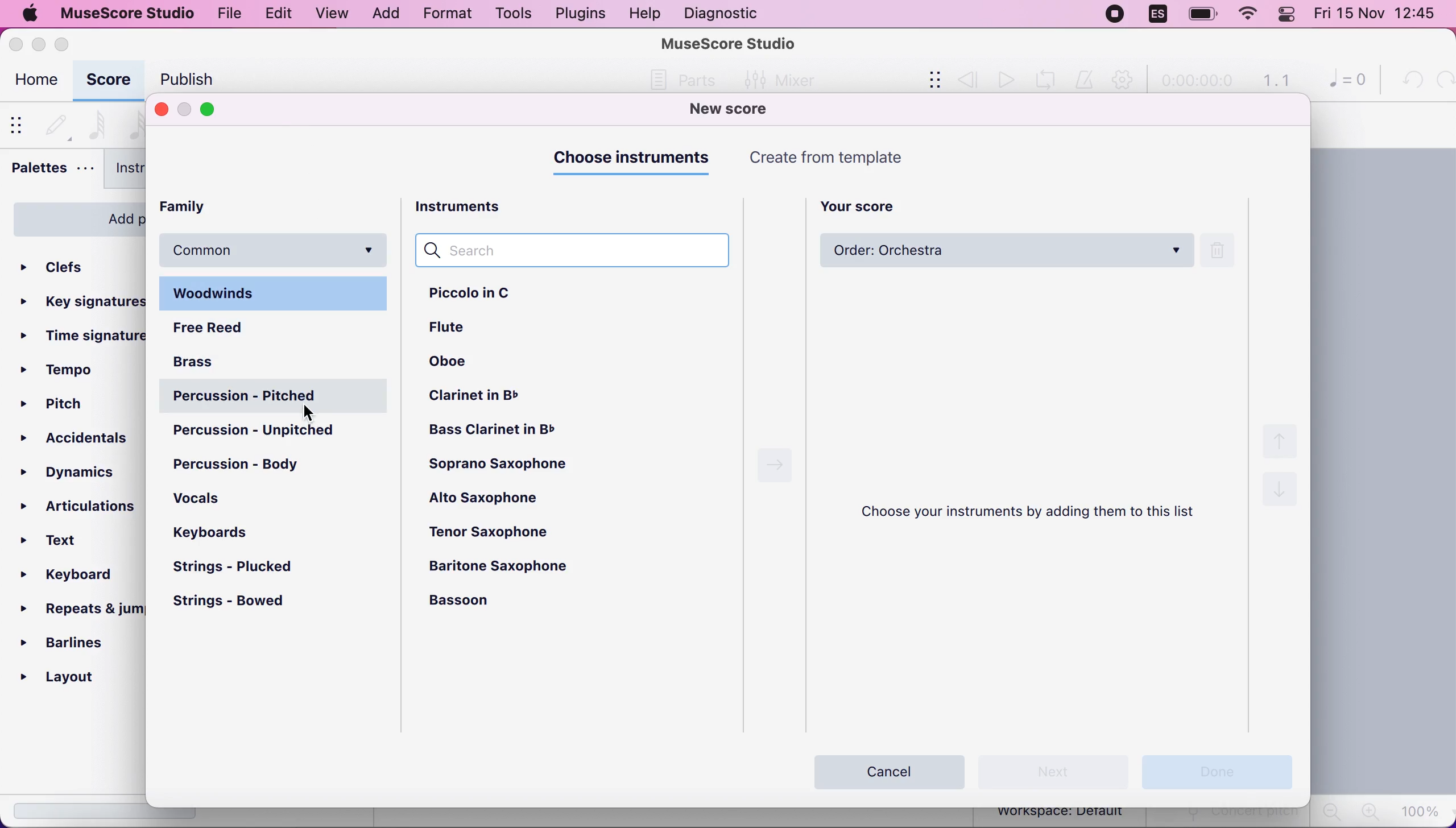  Describe the element at coordinates (476, 602) in the screenshot. I see `bassoon` at that location.